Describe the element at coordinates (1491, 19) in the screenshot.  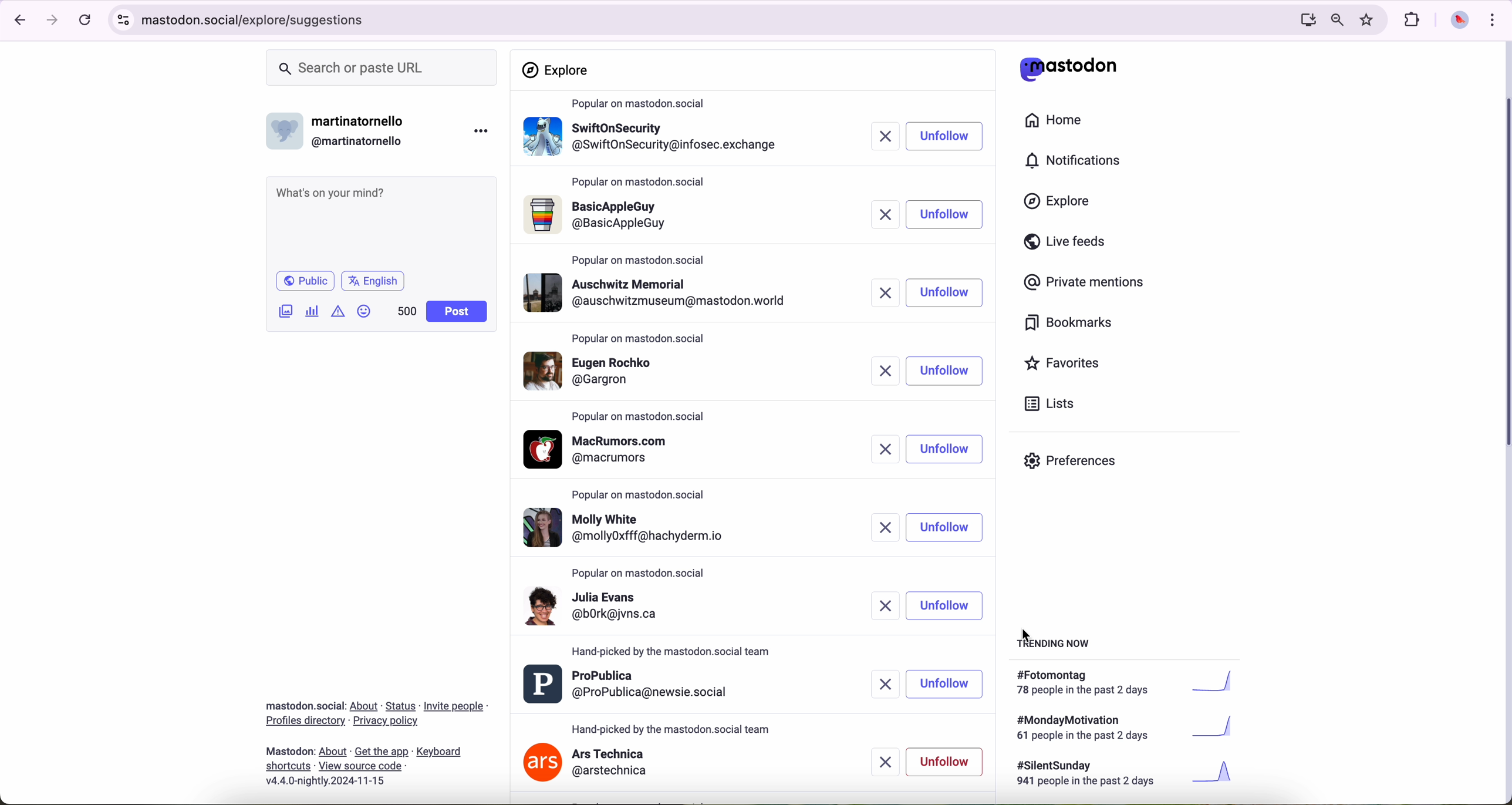
I see `customize and control Google Chrome` at that location.